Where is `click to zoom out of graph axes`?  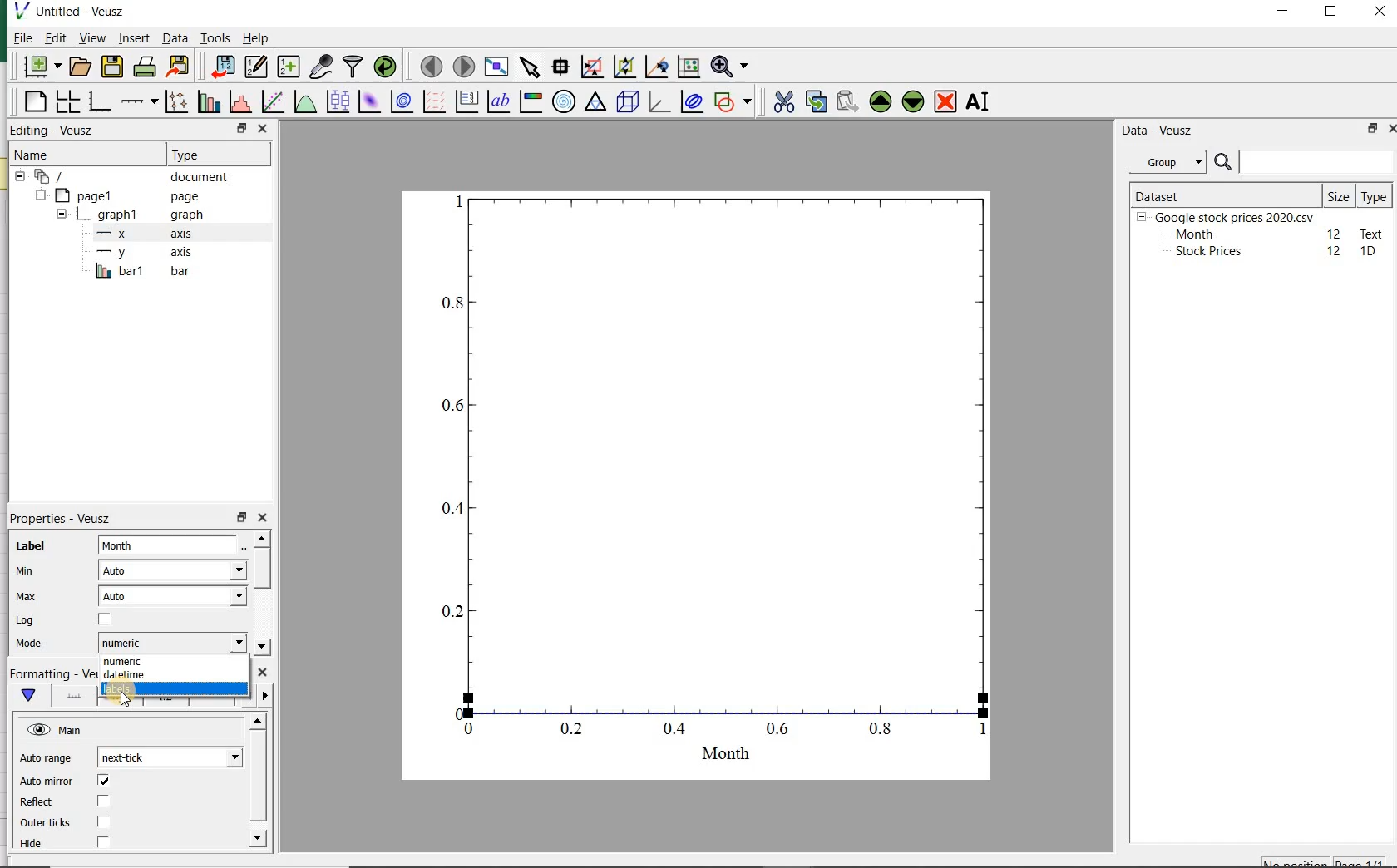
click to zoom out of graph axes is located at coordinates (623, 65).